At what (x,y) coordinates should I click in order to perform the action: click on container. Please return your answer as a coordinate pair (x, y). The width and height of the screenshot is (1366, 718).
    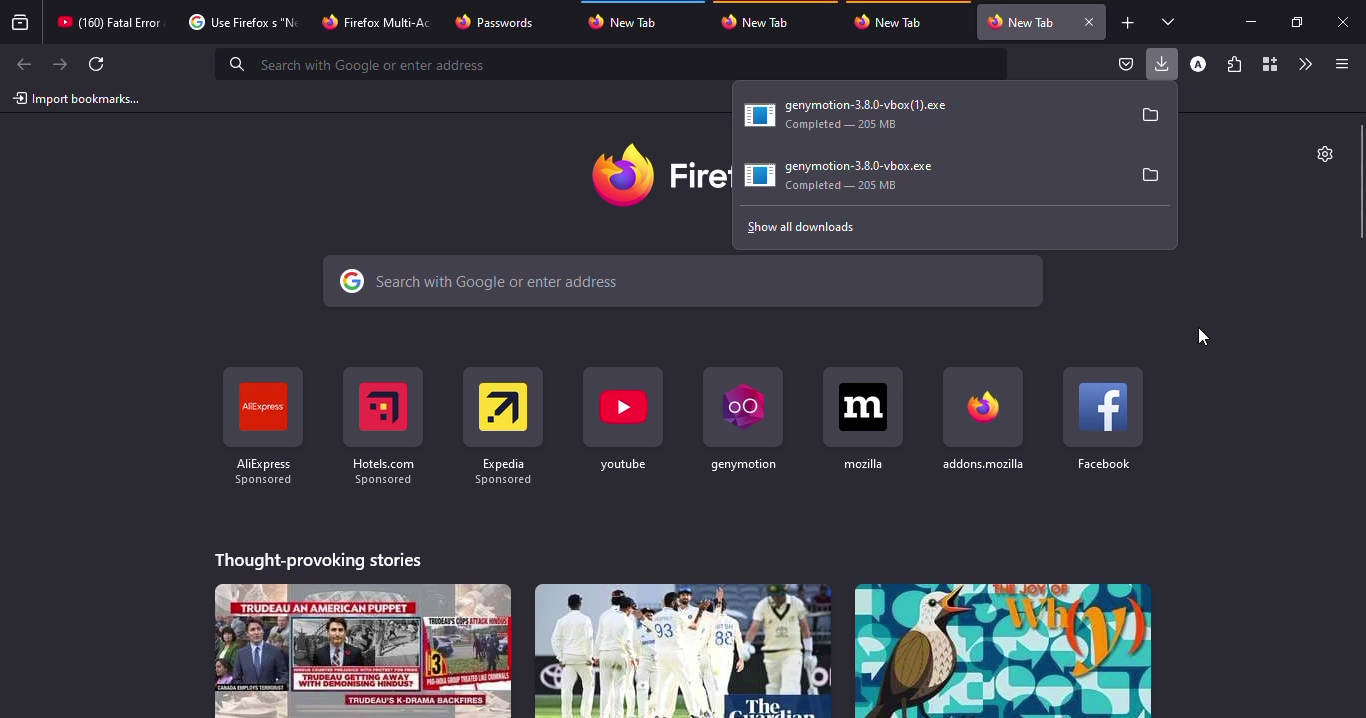
    Looking at the image, I should click on (1268, 65).